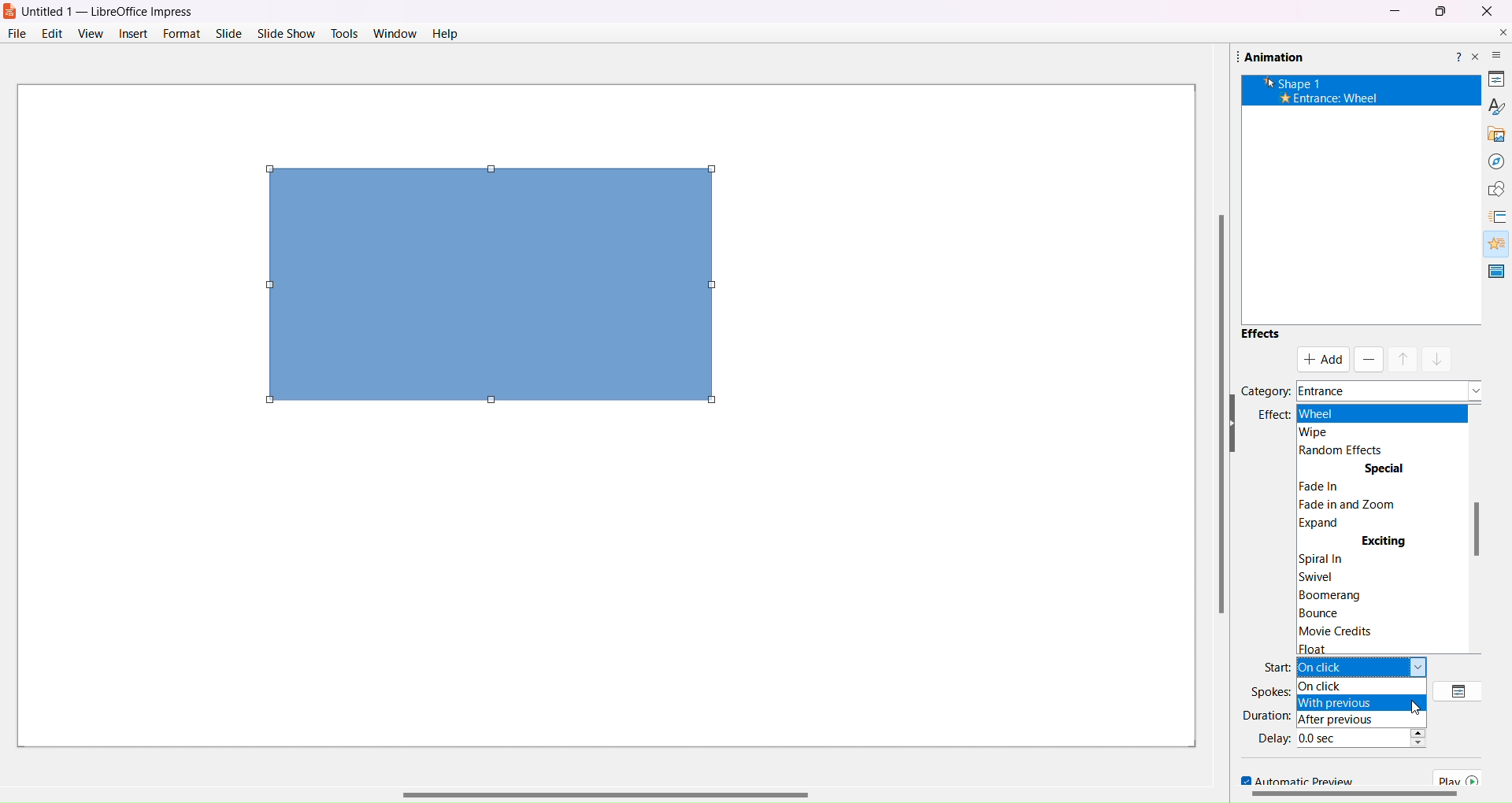 This screenshot has height=803, width=1512. I want to click on Types of start, so click(1369, 668).